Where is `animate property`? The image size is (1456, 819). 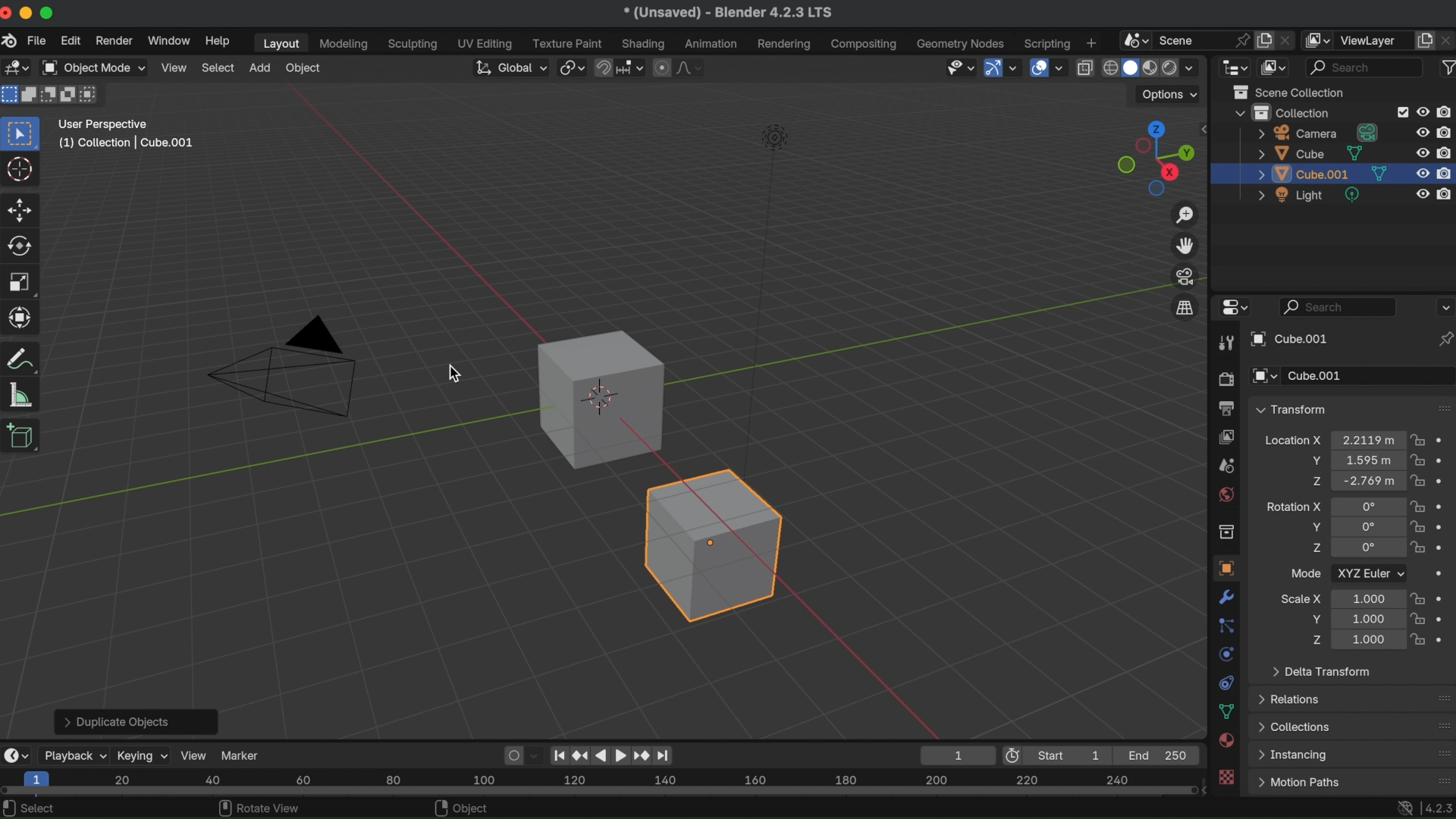 animate property is located at coordinates (1444, 618).